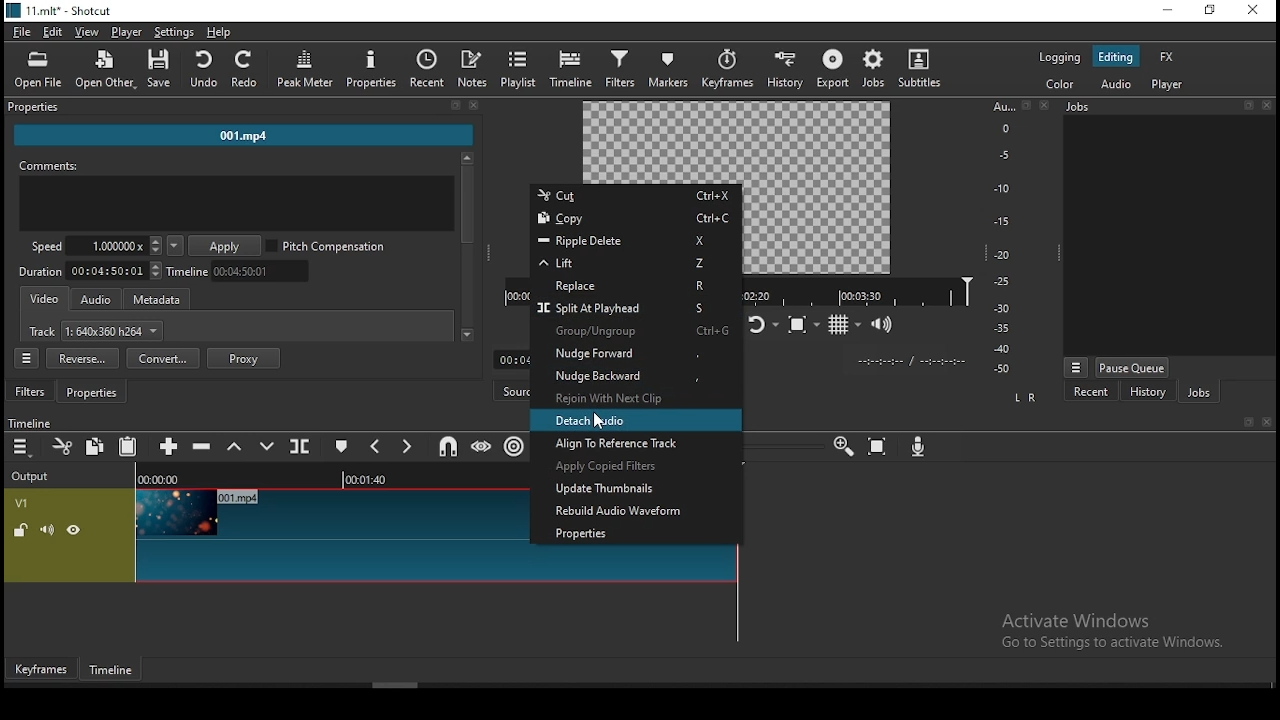 The height and width of the screenshot is (720, 1280). What do you see at coordinates (371, 68) in the screenshot?
I see `properties` at bounding box center [371, 68].